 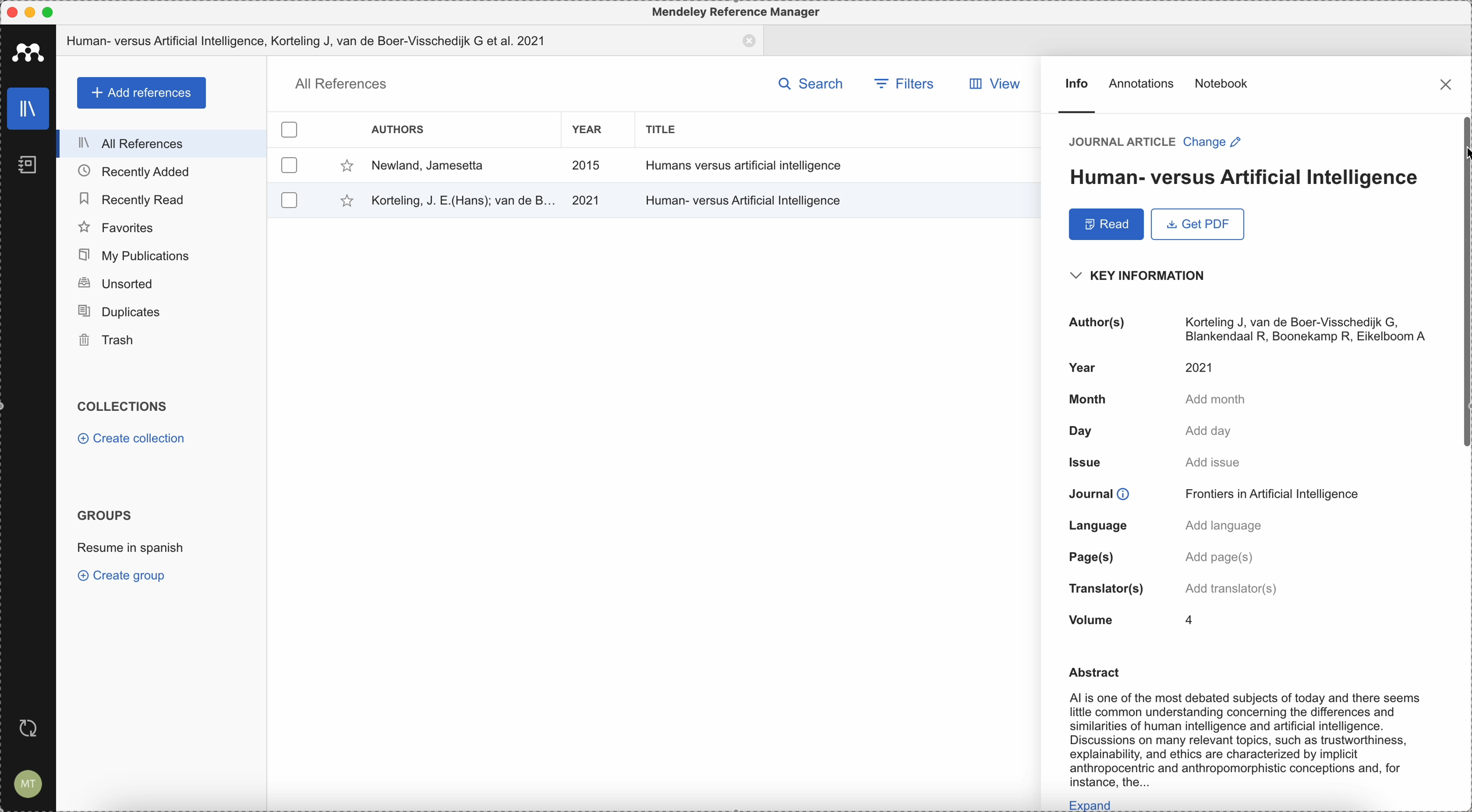 What do you see at coordinates (164, 255) in the screenshot?
I see `my publications` at bounding box center [164, 255].